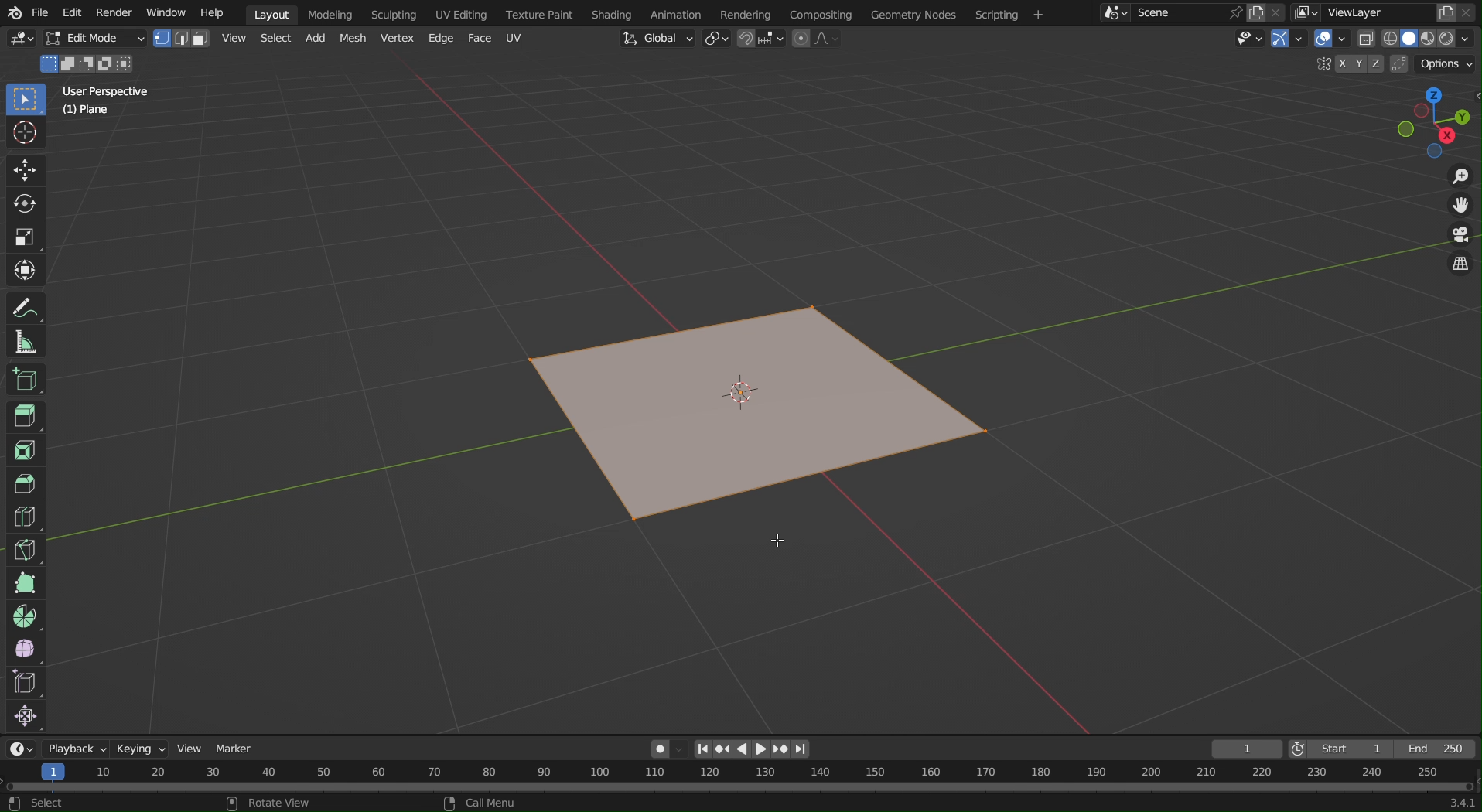  What do you see at coordinates (192, 749) in the screenshot?
I see `View` at bounding box center [192, 749].